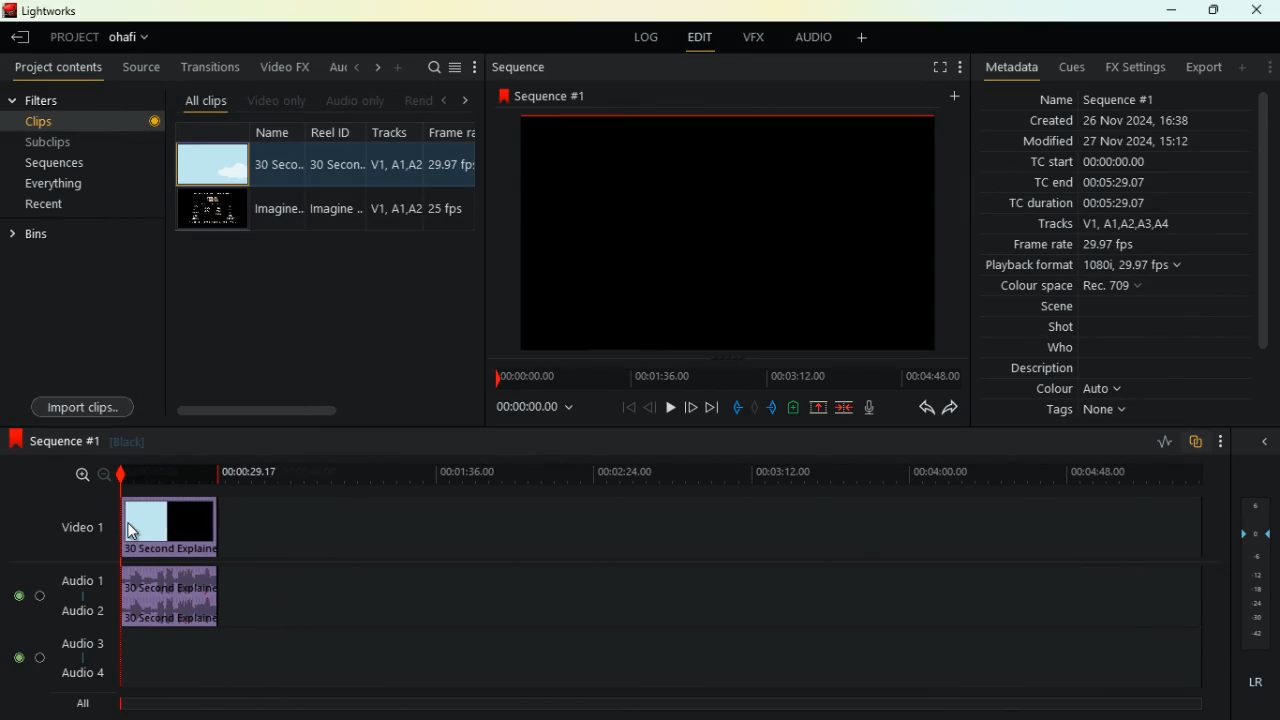  Describe the element at coordinates (650, 407) in the screenshot. I see `back` at that location.